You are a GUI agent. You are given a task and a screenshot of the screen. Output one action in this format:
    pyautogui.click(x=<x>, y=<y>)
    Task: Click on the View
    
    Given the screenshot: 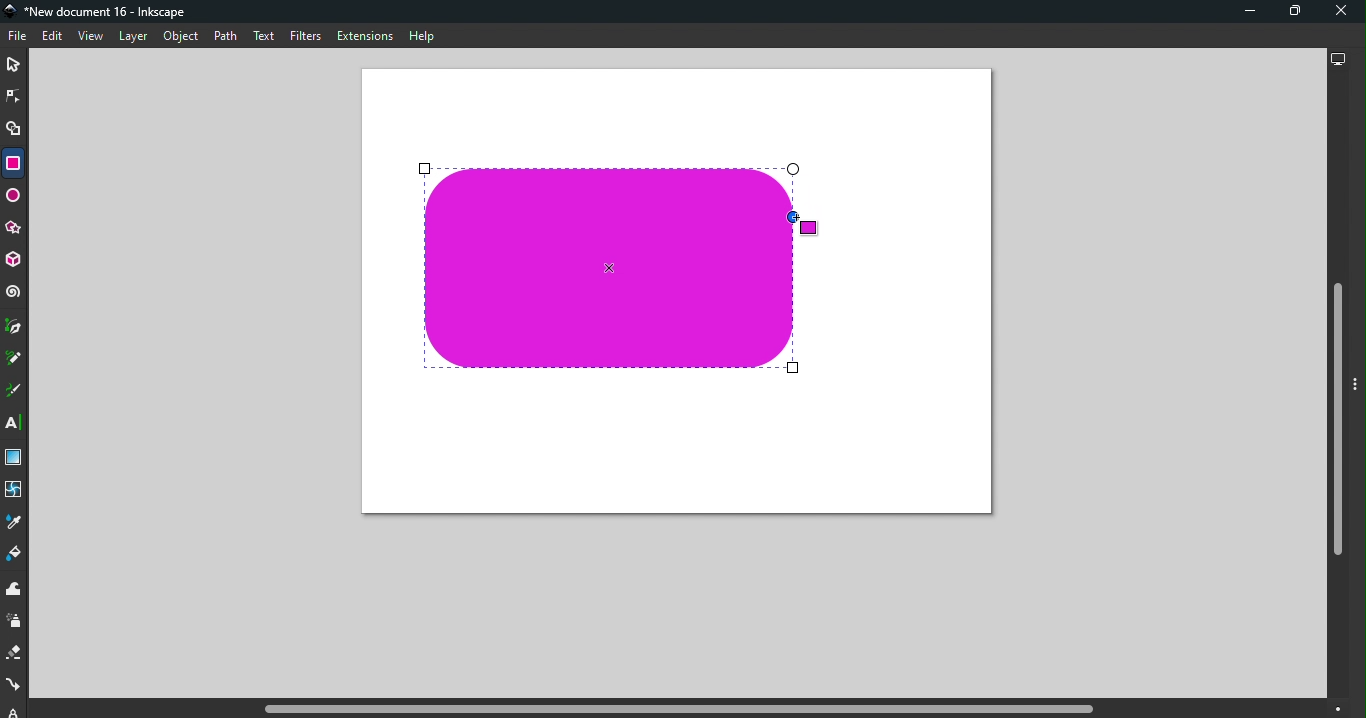 What is the action you would take?
    pyautogui.click(x=89, y=36)
    